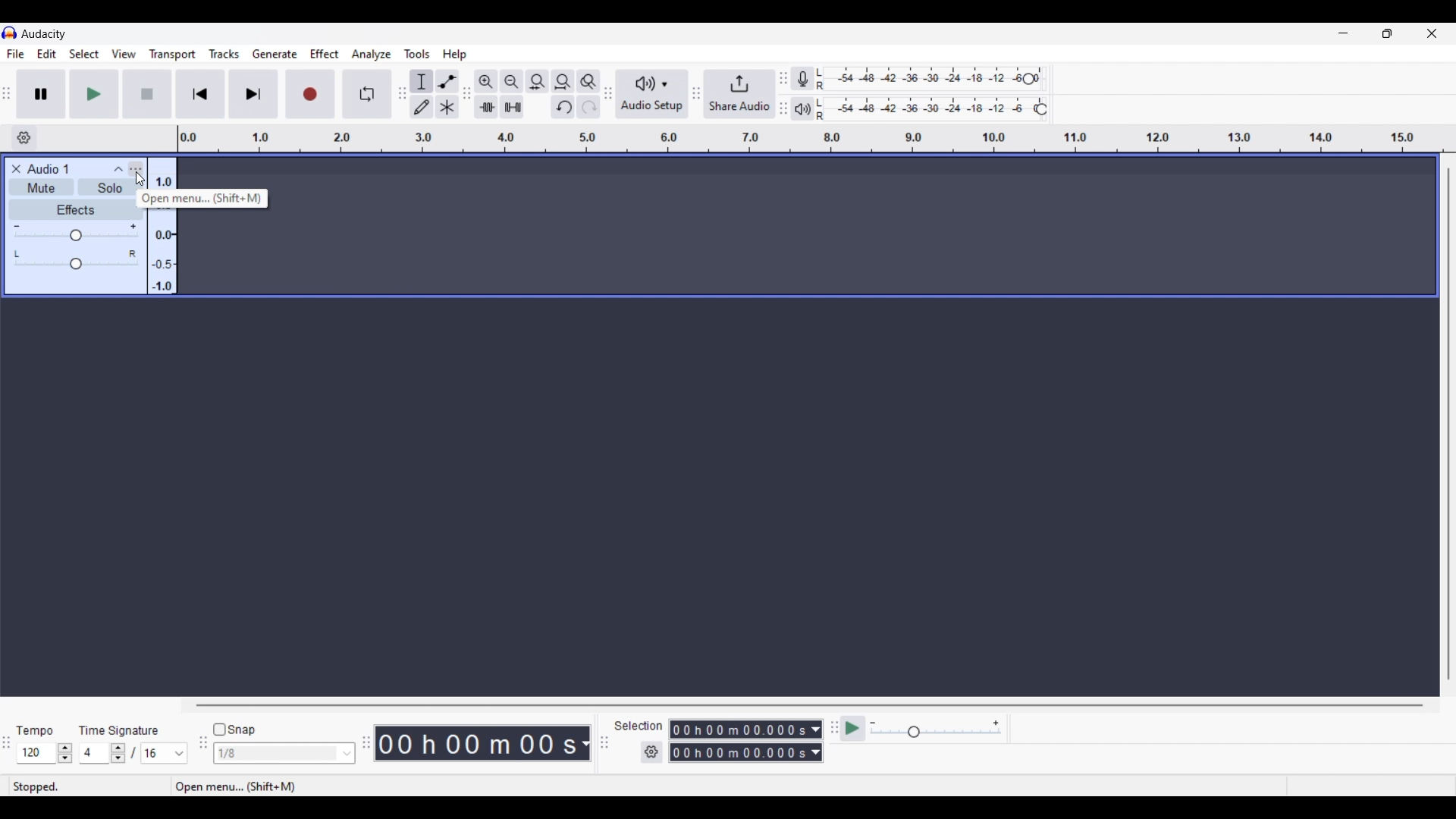  What do you see at coordinates (1432, 33) in the screenshot?
I see `Close interface` at bounding box center [1432, 33].